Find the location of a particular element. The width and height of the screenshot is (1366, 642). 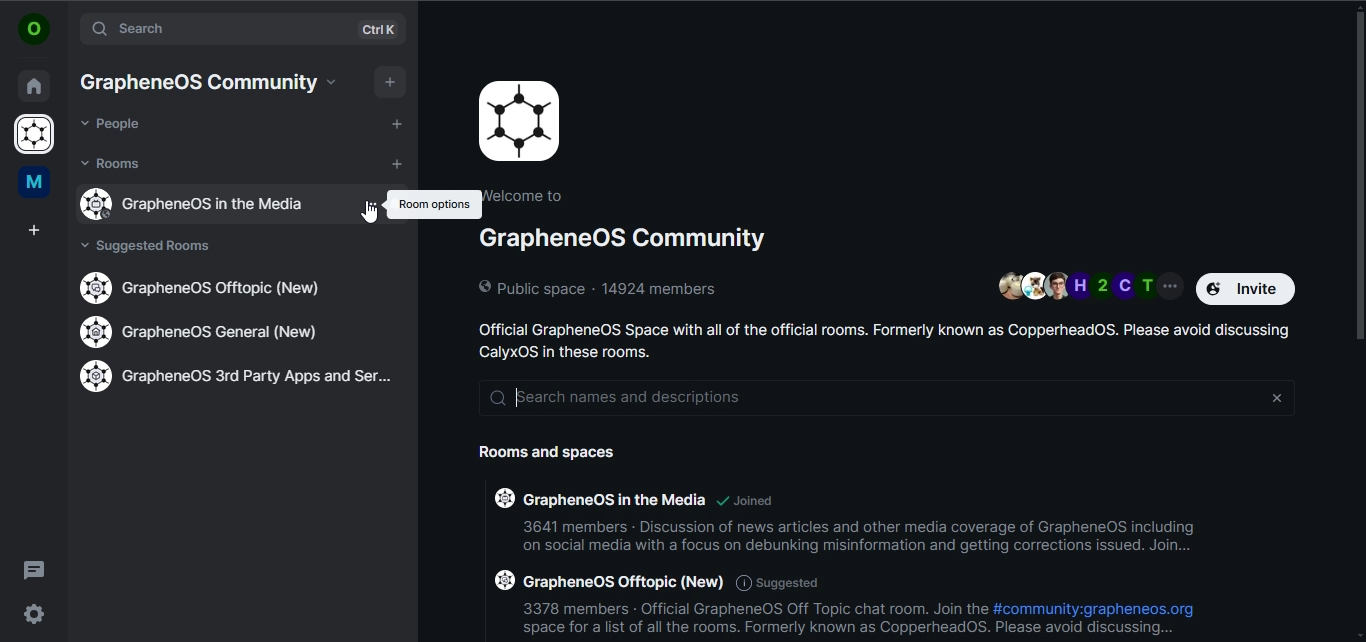

add  is located at coordinates (397, 123).